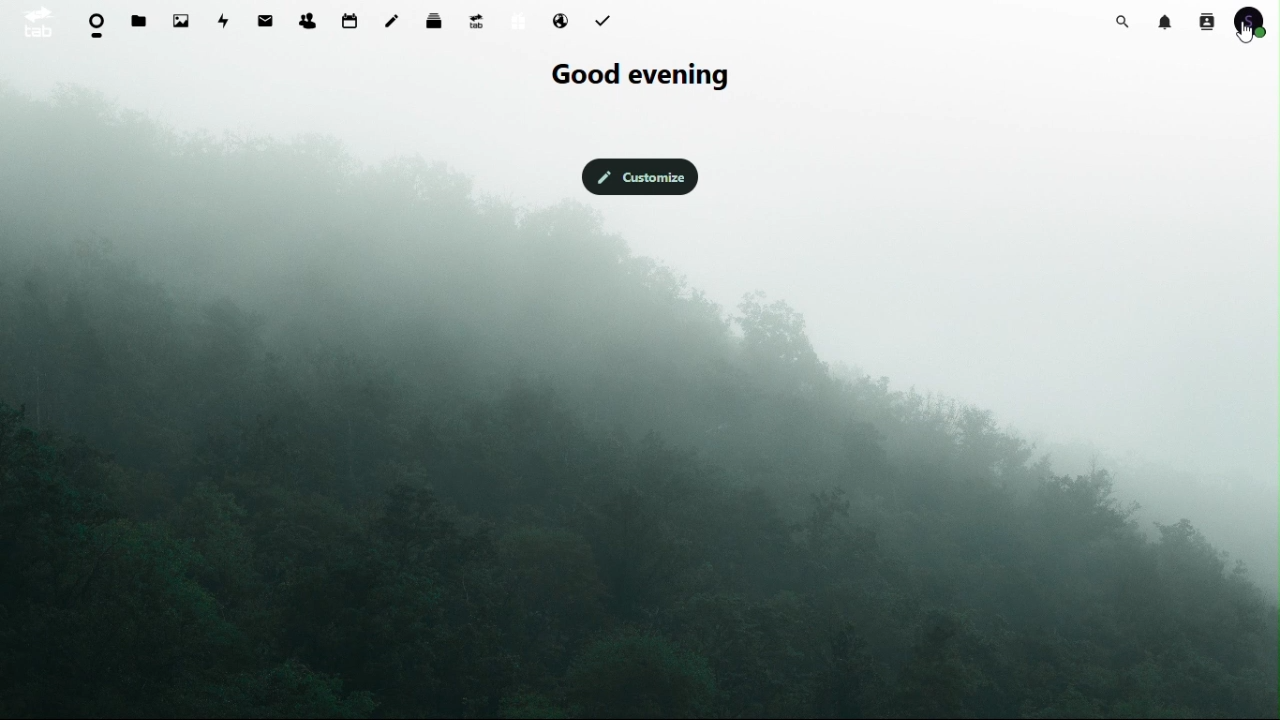  I want to click on tab, so click(37, 22).